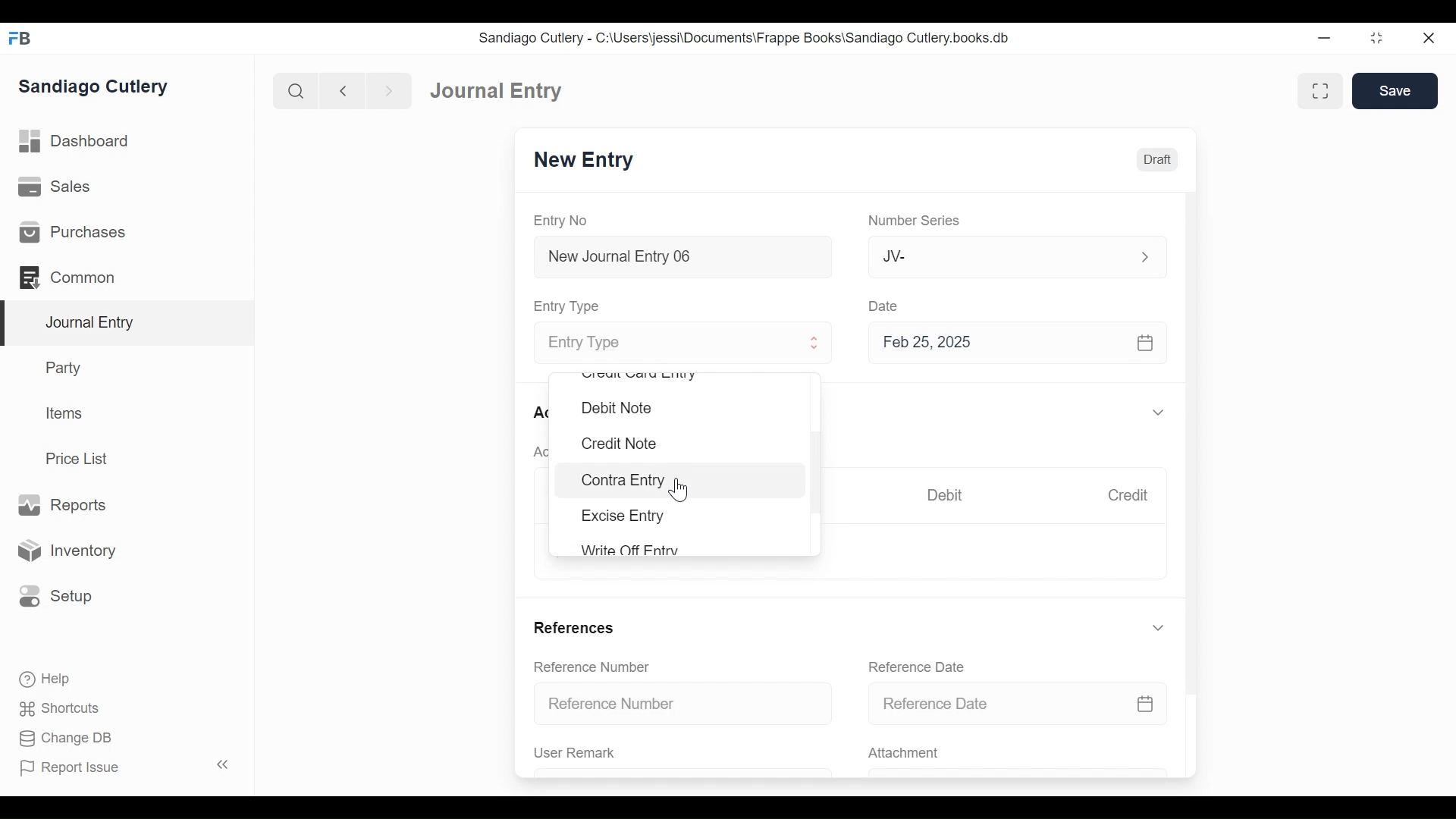 The height and width of the screenshot is (819, 1456). What do you see at coordinates (617, 408) in the screenshot?
I see `Debit Note` at bounding box center [617, 408].